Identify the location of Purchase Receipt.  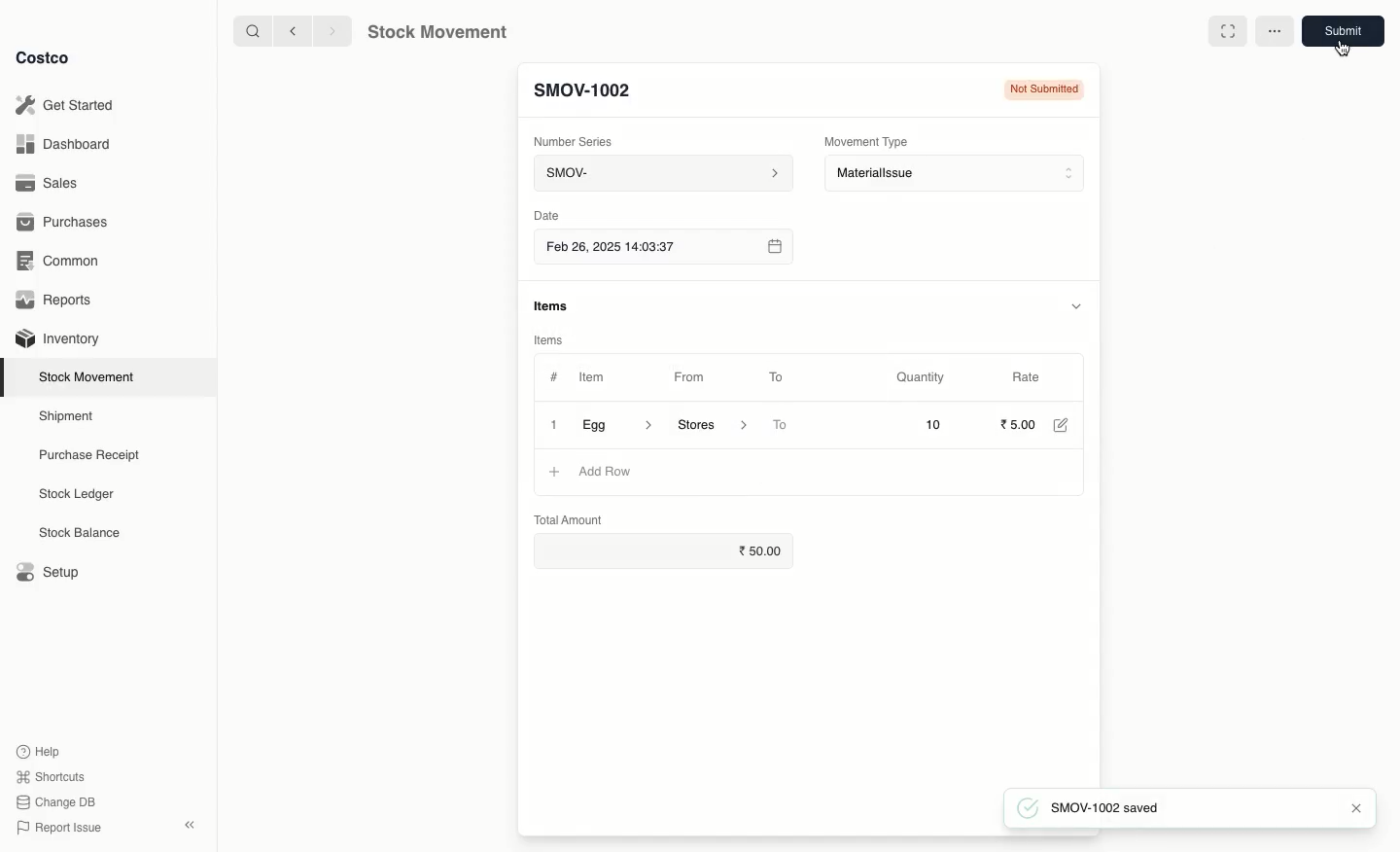
(94, 454).